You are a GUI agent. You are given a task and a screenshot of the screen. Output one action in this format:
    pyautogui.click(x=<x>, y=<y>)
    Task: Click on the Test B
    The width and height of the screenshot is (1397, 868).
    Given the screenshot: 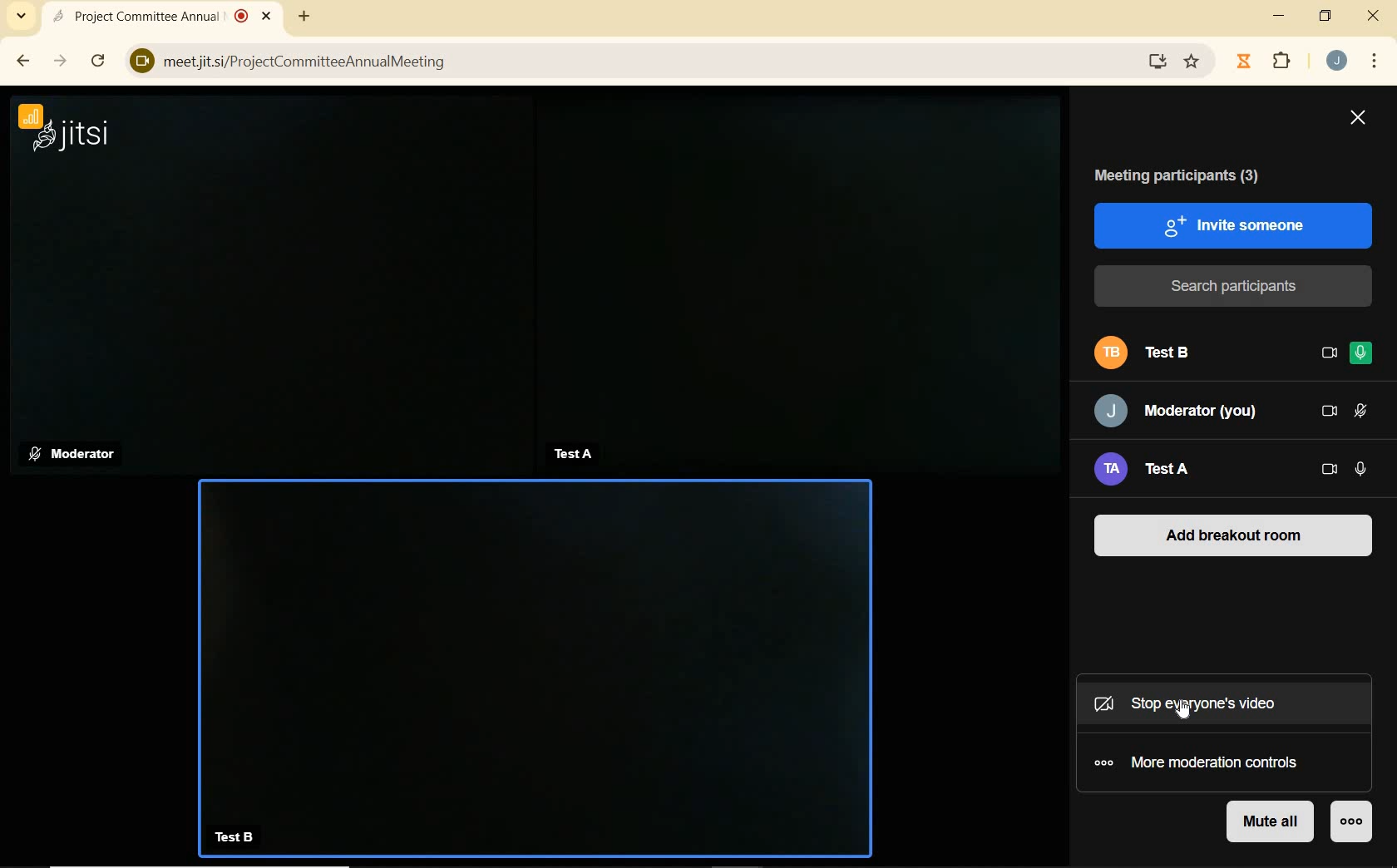 What is the action you would take?
    pyautogui.click(x=1185, y=353)
    